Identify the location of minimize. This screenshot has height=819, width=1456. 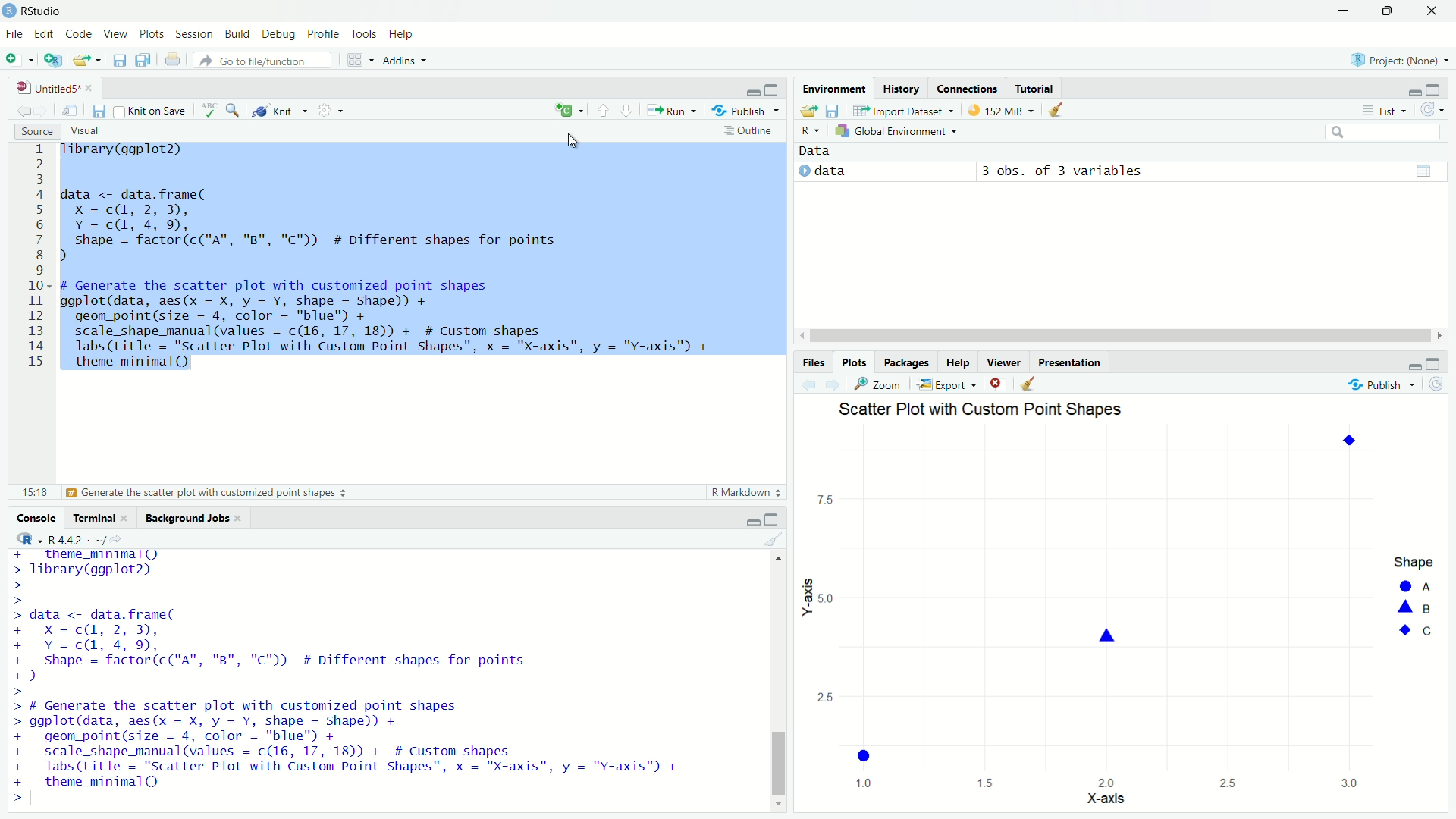
(1411, 91).